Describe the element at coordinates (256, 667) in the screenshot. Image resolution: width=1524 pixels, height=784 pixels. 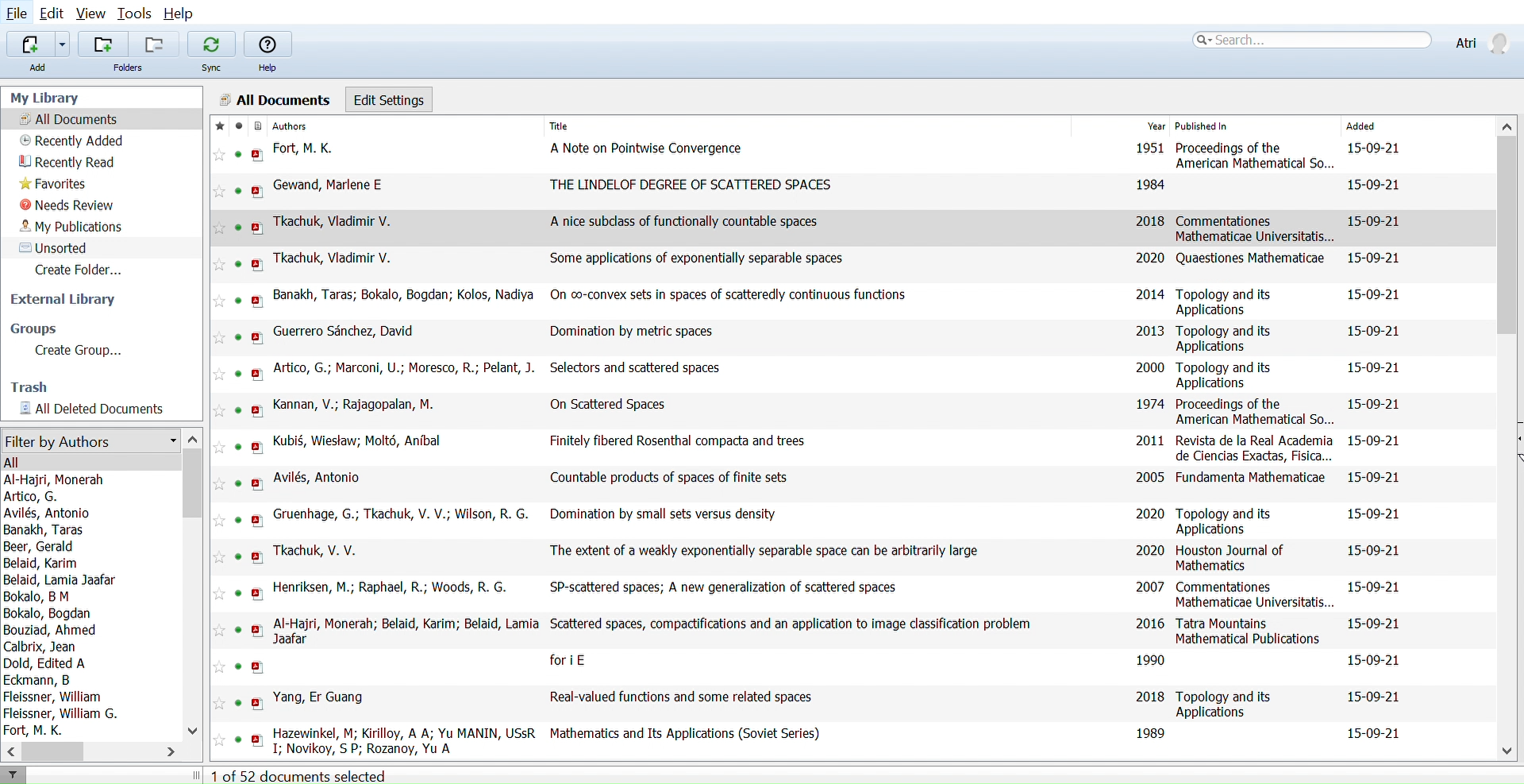
I see `open PDF` at that location.